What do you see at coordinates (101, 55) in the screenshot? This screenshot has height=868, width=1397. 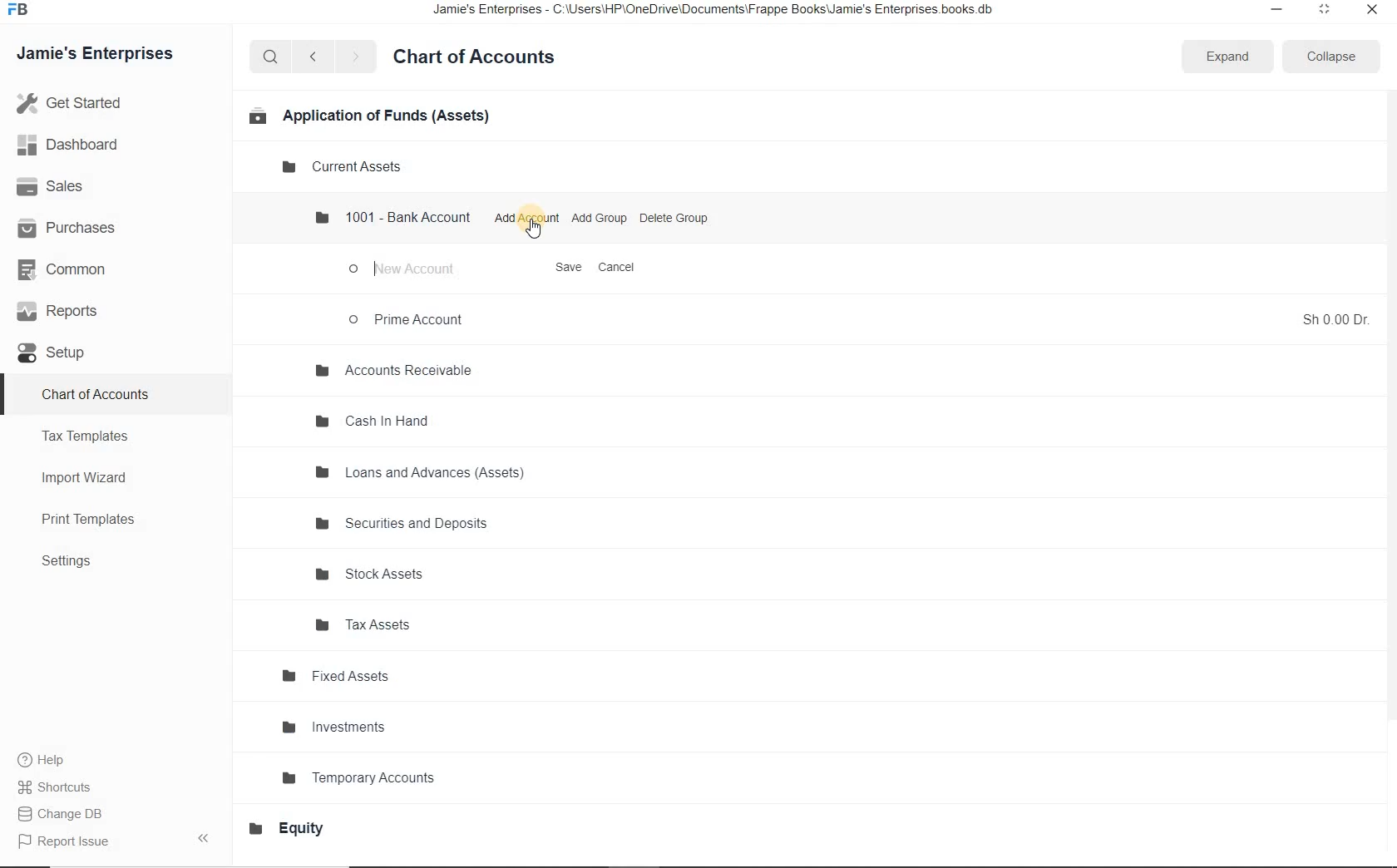 I see `Jamie's Enterprises` at bounding box center [101, 55].